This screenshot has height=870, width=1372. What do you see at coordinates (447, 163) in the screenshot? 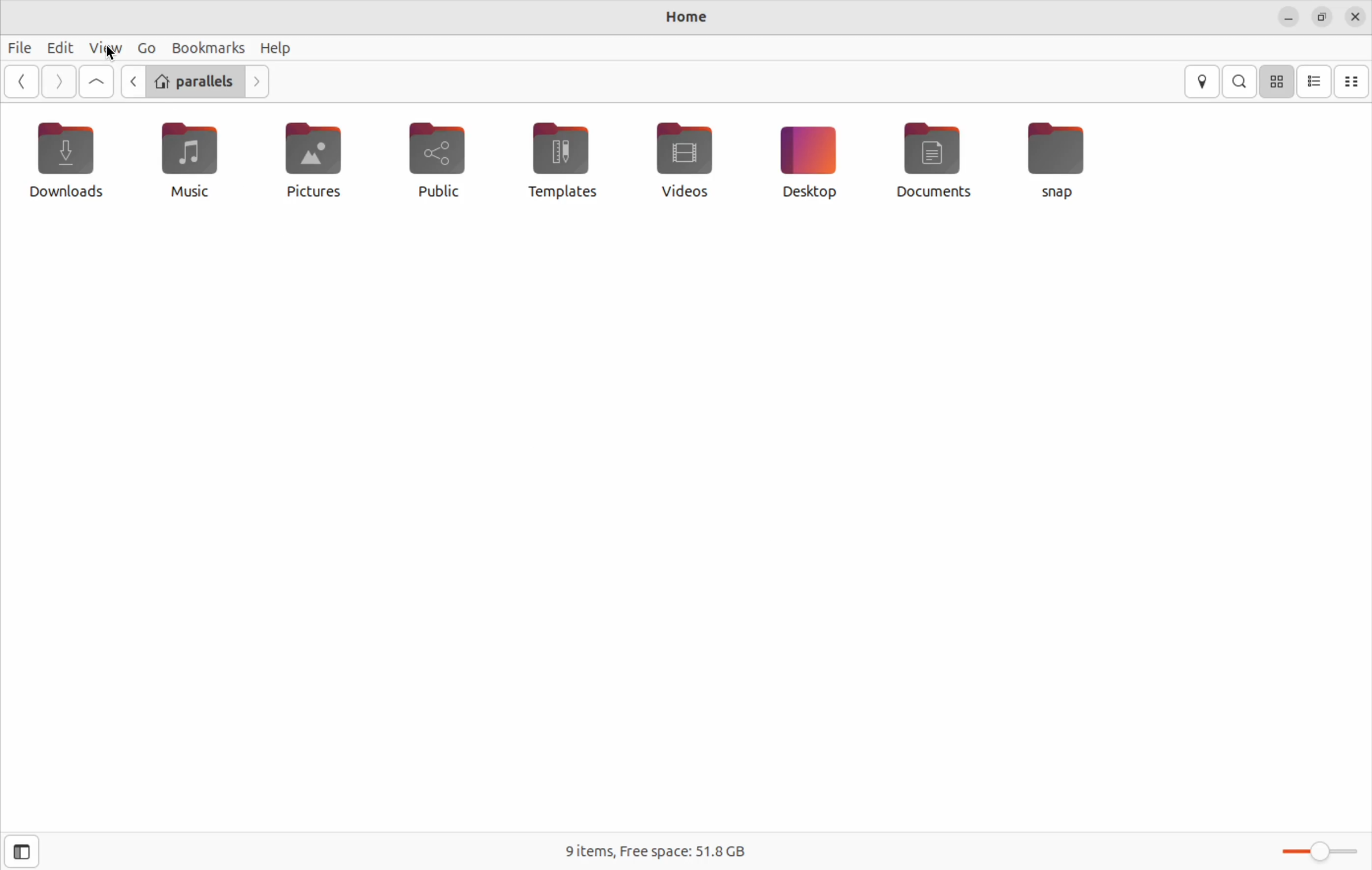
I see `public ` at bounding box center [447, 163].